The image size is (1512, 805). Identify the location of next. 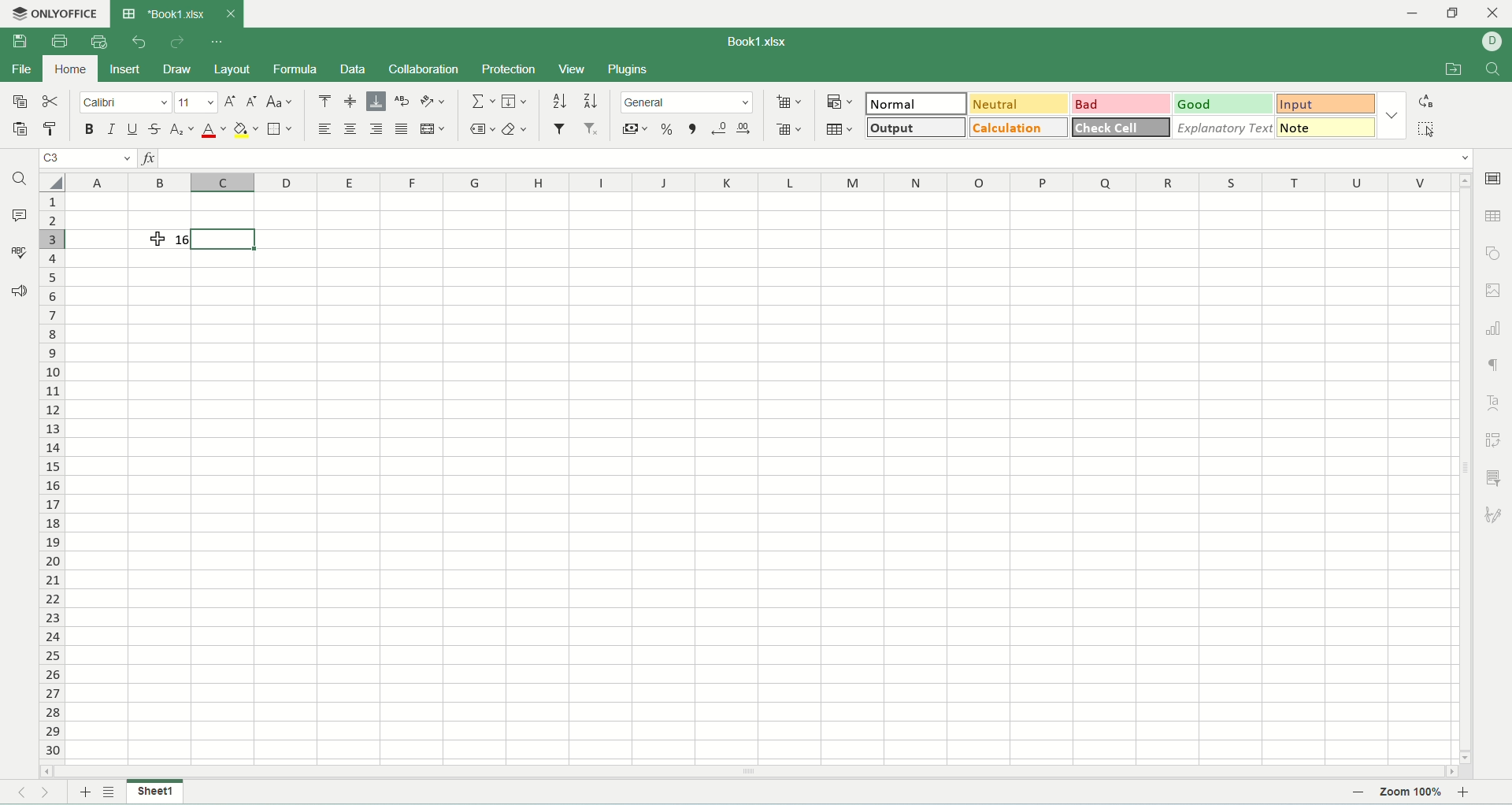
(53, 793).